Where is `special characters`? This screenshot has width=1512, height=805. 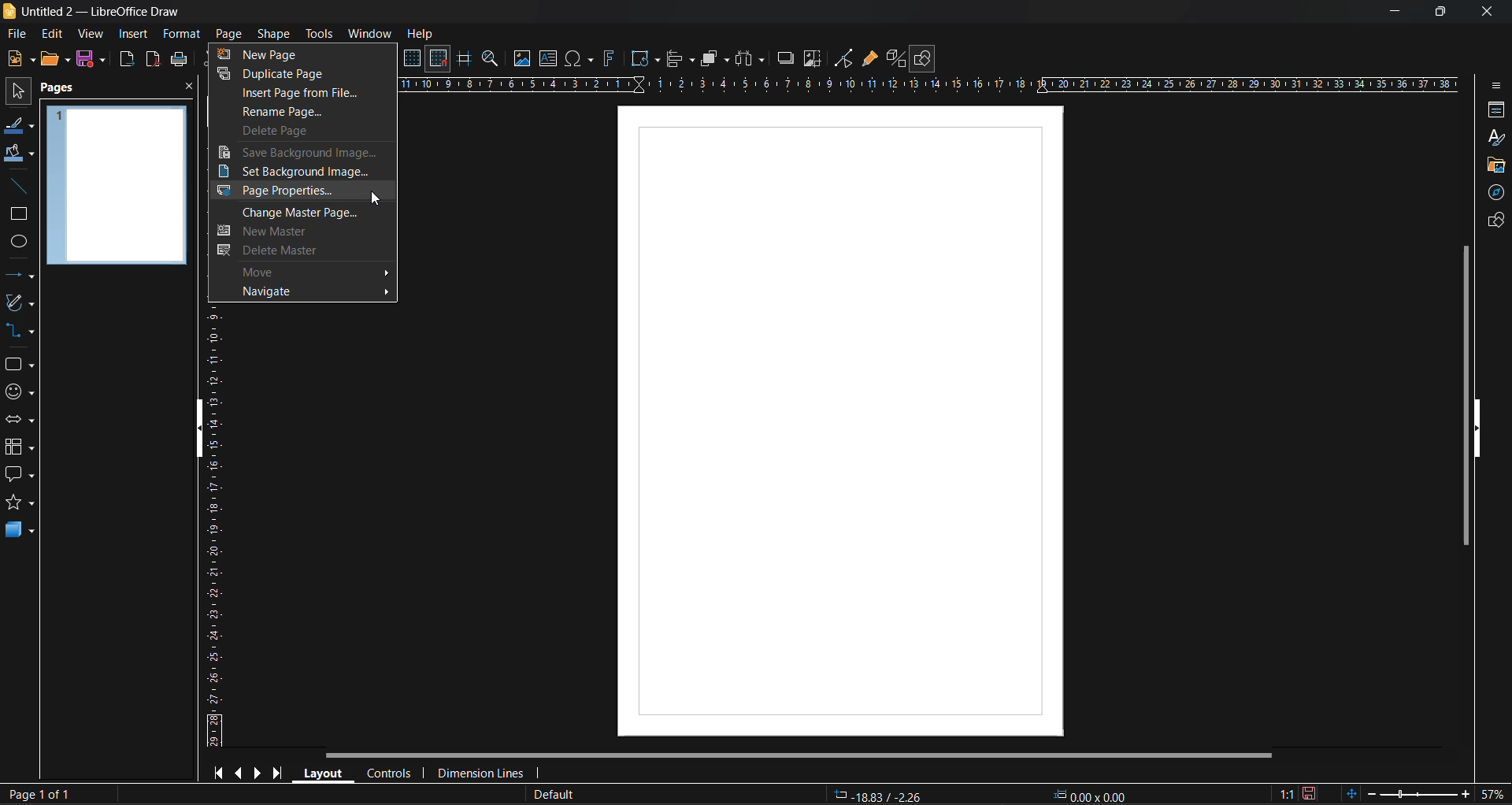
special characters is located at coordinates (580, 58).